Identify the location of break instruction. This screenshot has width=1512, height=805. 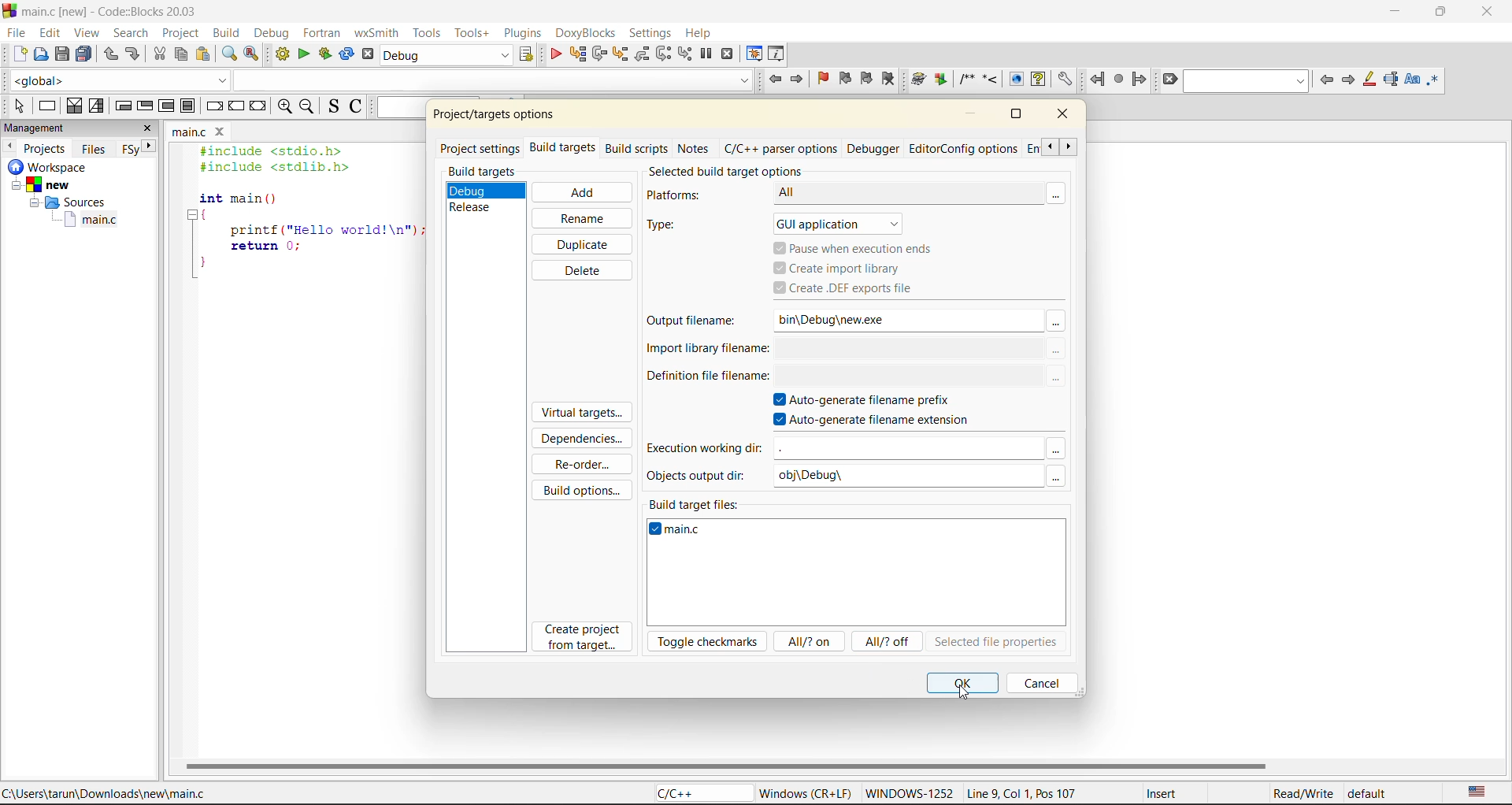
(213, 107).